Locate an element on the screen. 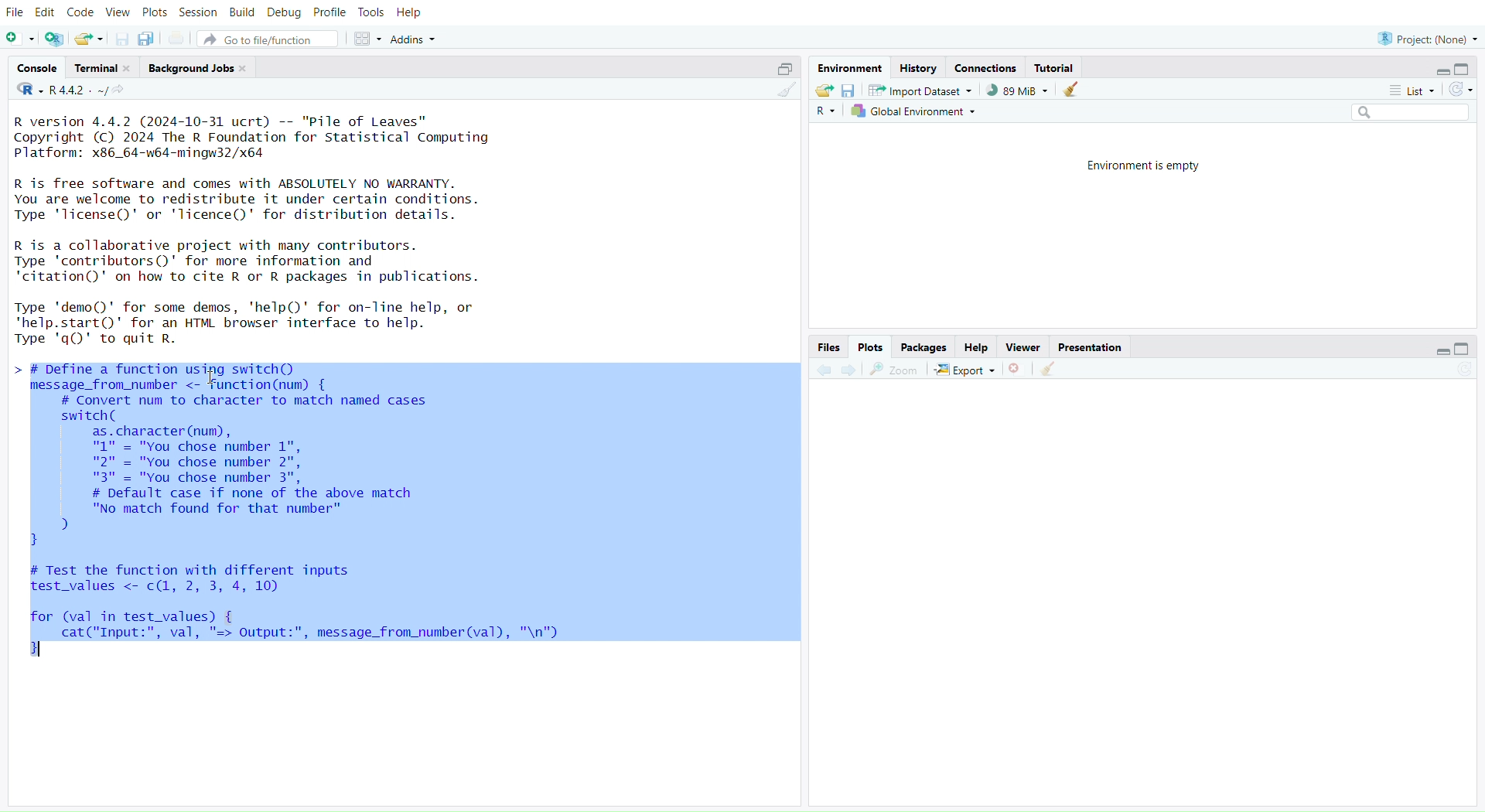 Image resolution: width=1485 pixels, height=812 pixels. Import dataset is located at coordinates (921, 92).